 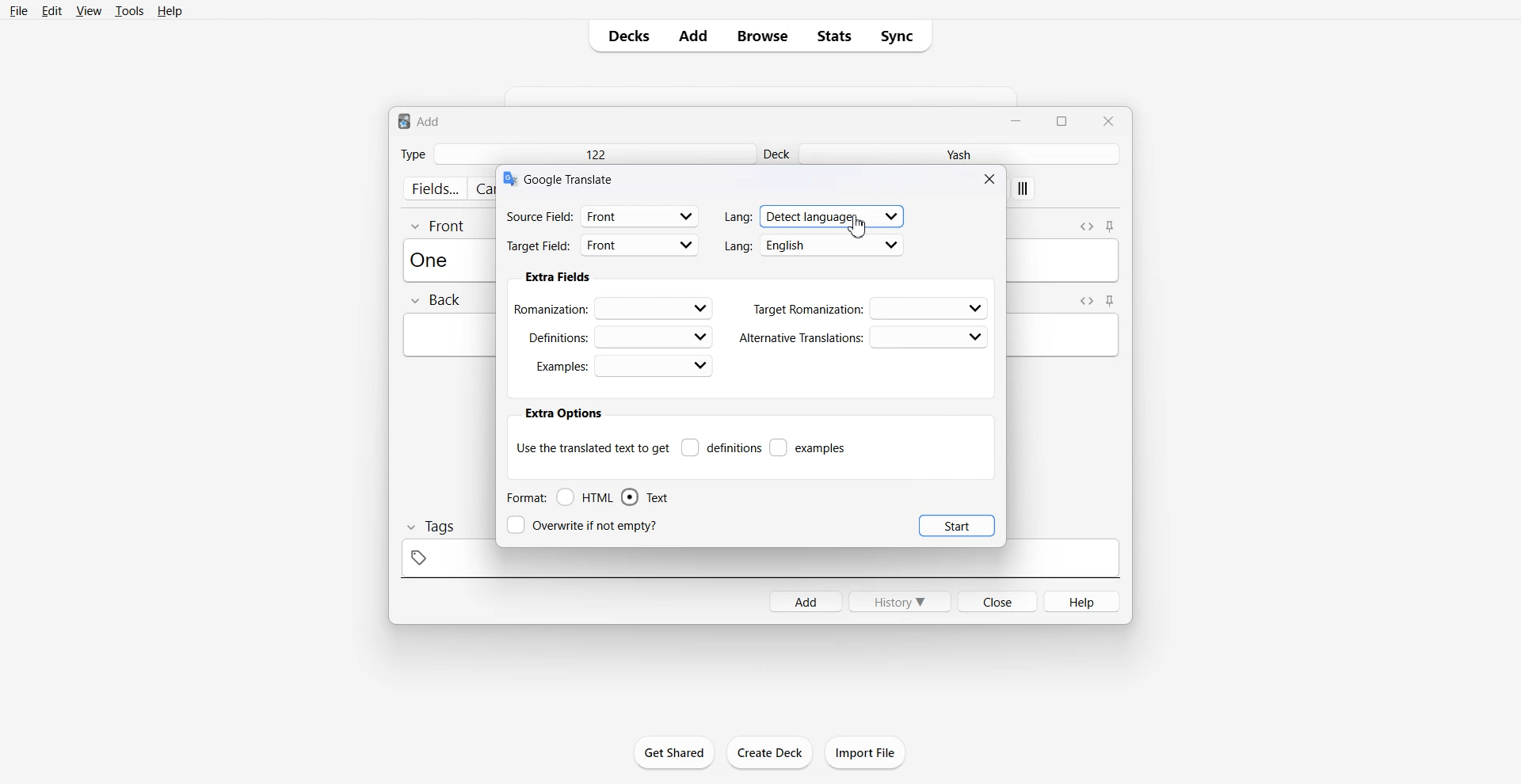 What do you see at coordinates (871, 308) in the screenshot?
I see `Target Romanization` at bounding box center [871, 308].